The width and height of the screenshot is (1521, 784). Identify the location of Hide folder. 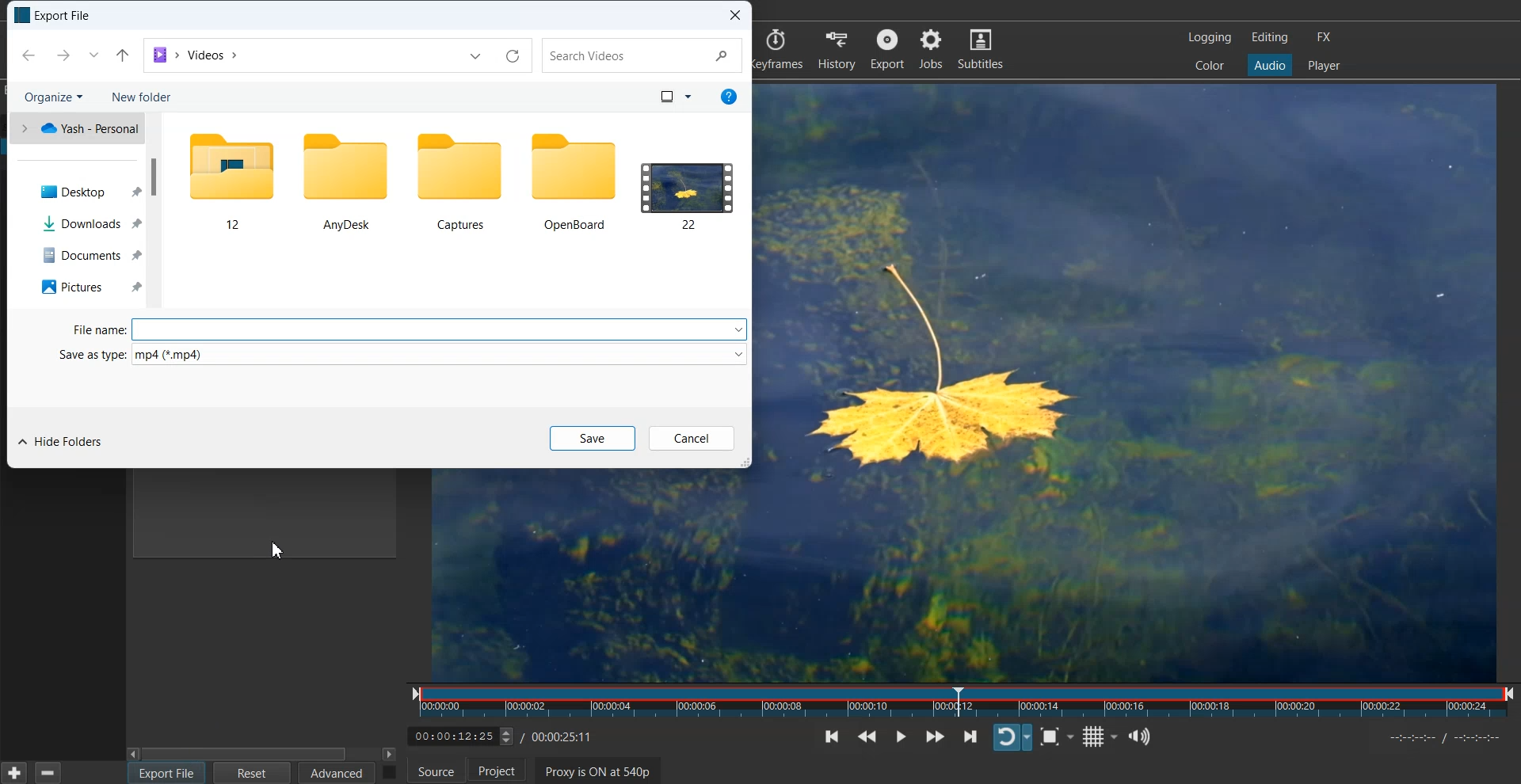
(62, 441).